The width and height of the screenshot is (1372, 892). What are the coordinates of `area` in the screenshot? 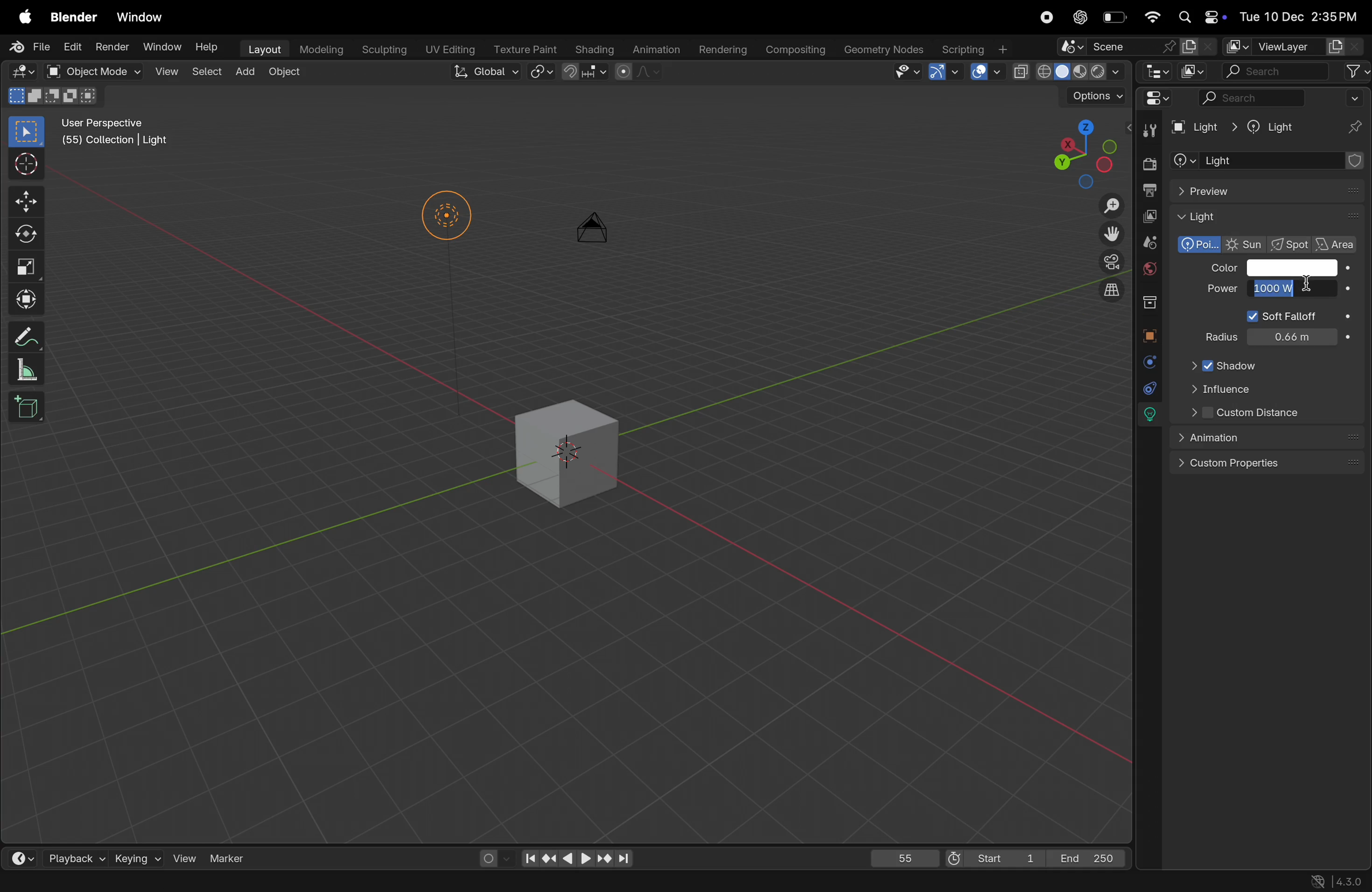 It's located at (1339, 243).